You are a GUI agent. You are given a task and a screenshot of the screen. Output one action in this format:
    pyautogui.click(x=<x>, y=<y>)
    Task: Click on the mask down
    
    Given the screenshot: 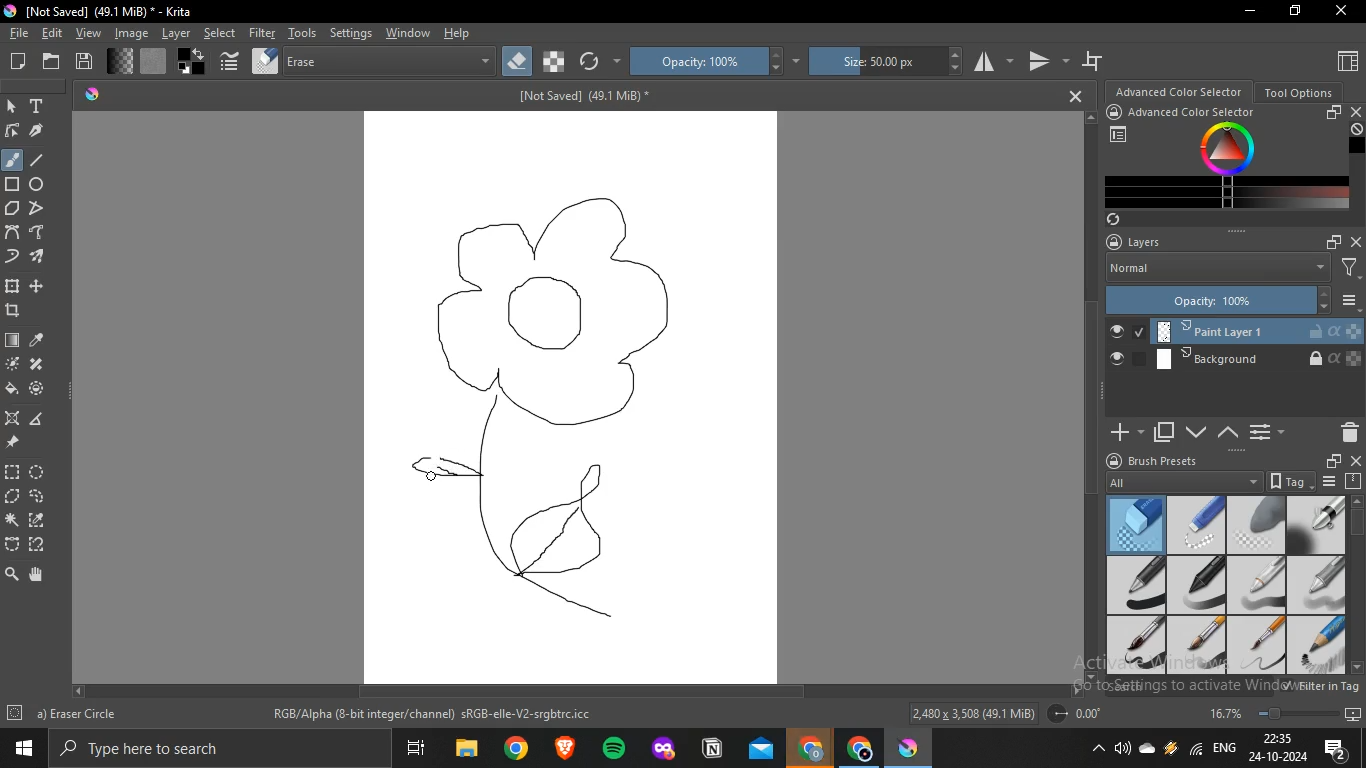 What is the action you would take?
    pyautogui.click(x=1196, y=431)
    